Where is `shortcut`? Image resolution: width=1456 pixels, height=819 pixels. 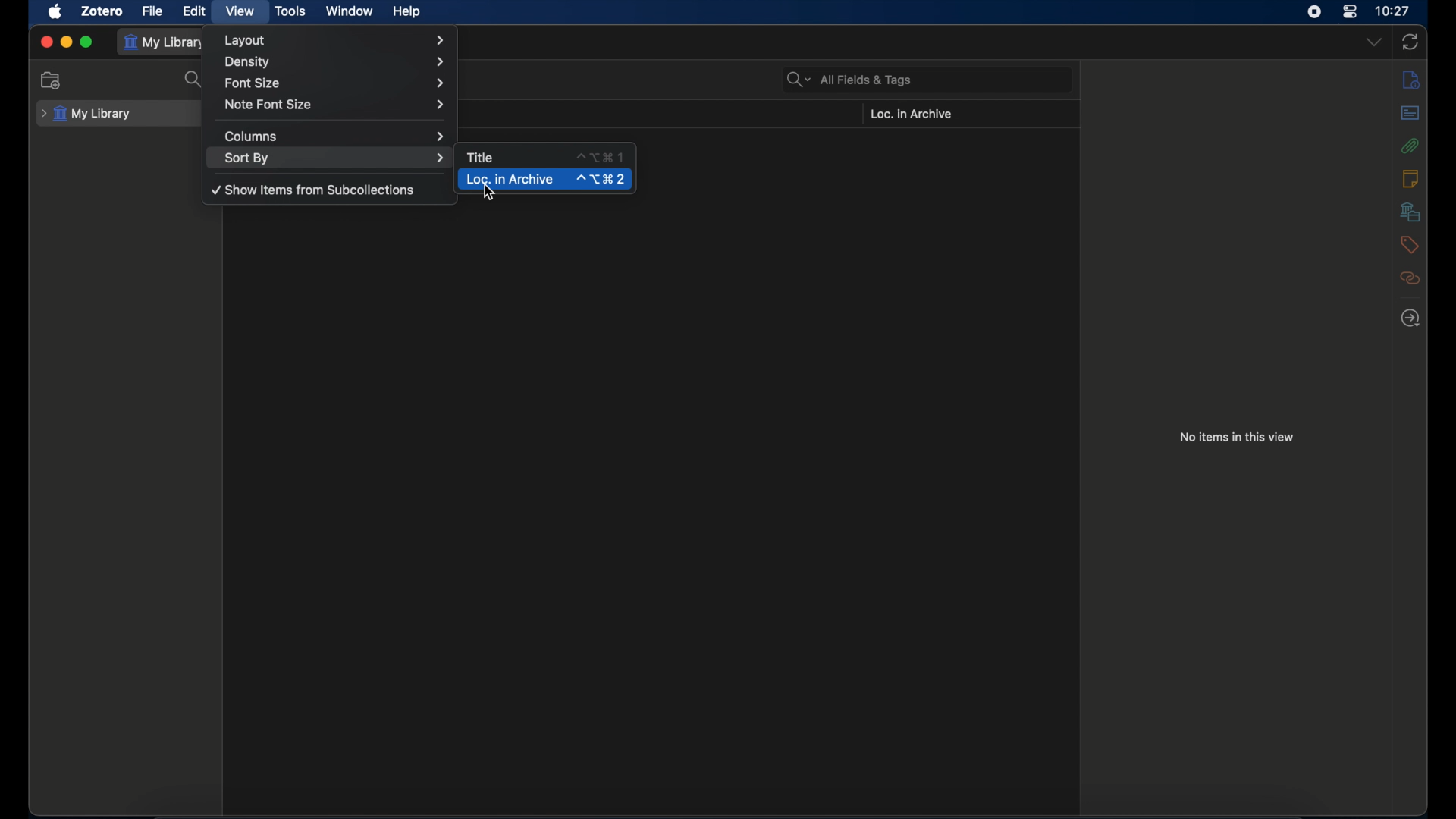
shortcut is located at coordinates (602, 180).